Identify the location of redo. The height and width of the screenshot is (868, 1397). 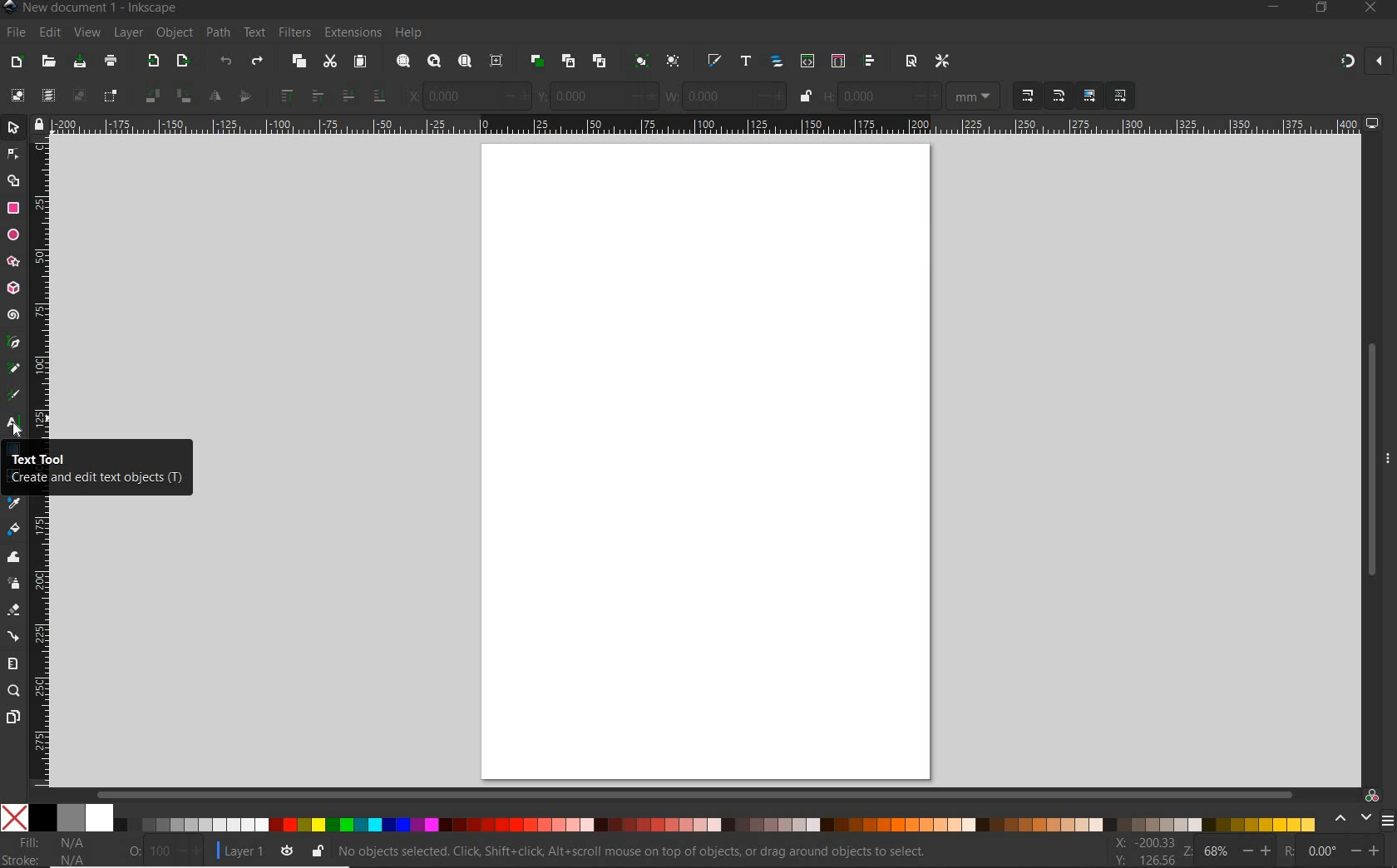
(257, 63).